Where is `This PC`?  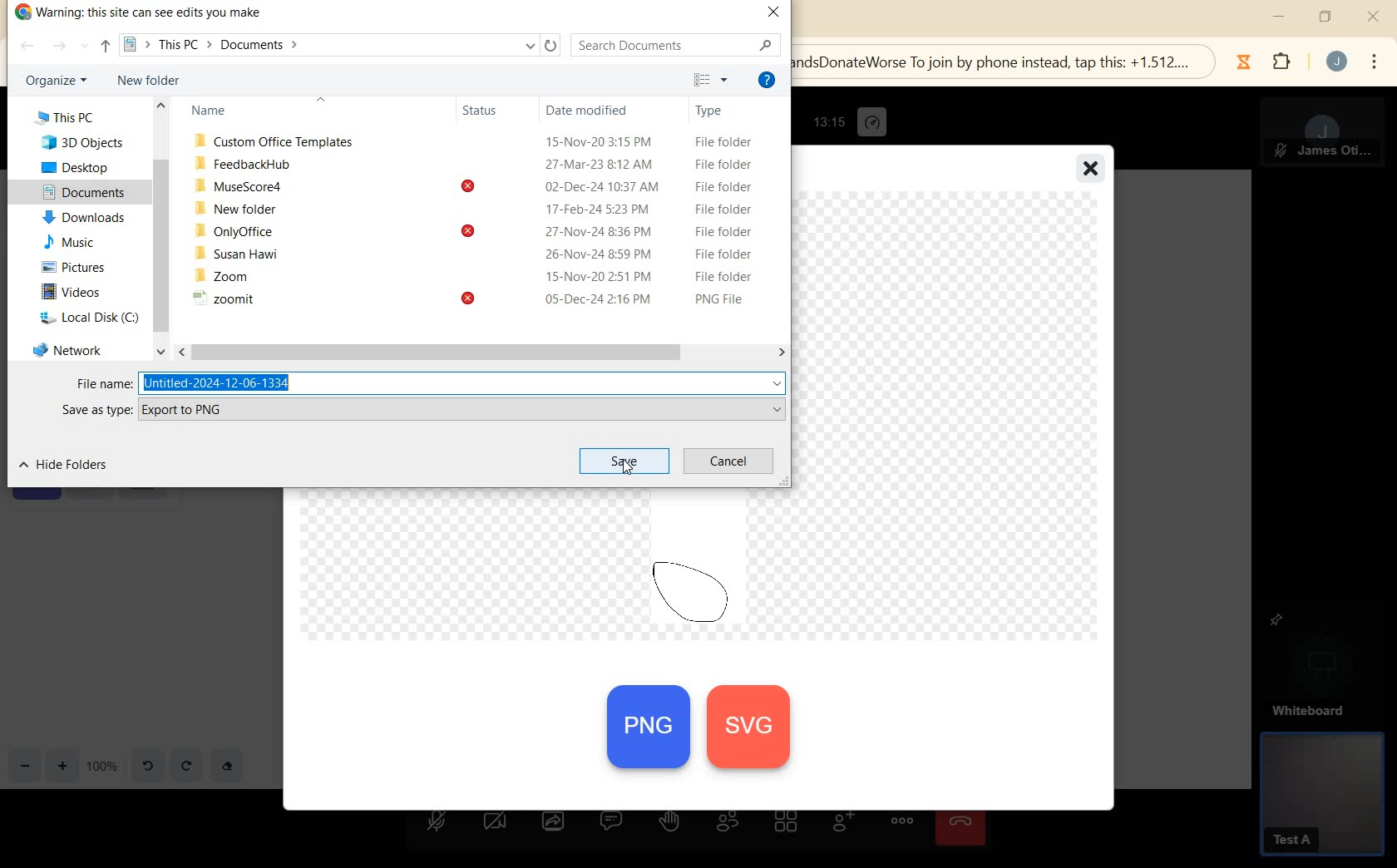 This PC is located at coordinates (69, 121).